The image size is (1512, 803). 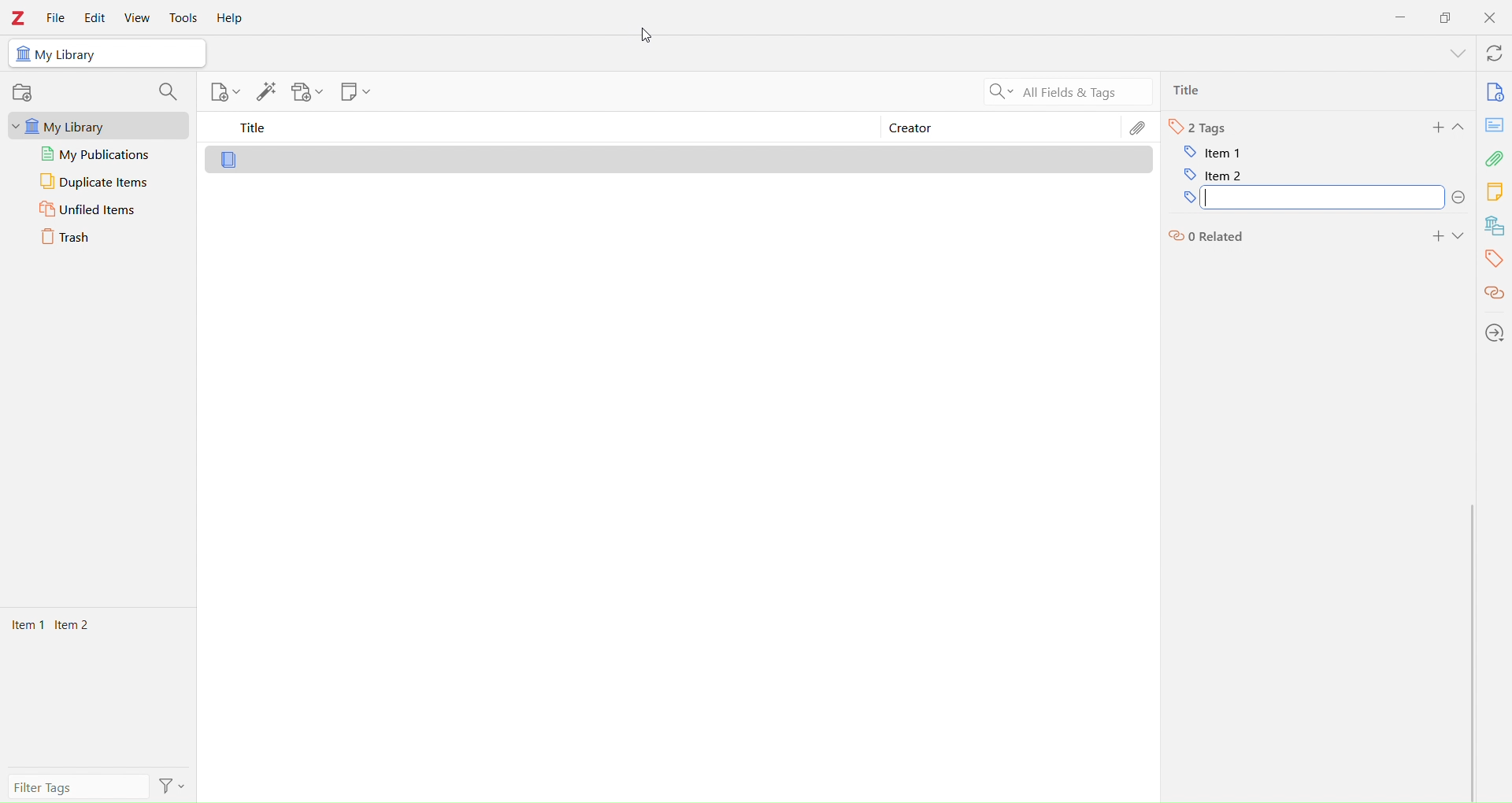 What do you see at coordinates (1452, 196) in the screenshot?
I see `delete` at bounding box center [1452, 196].